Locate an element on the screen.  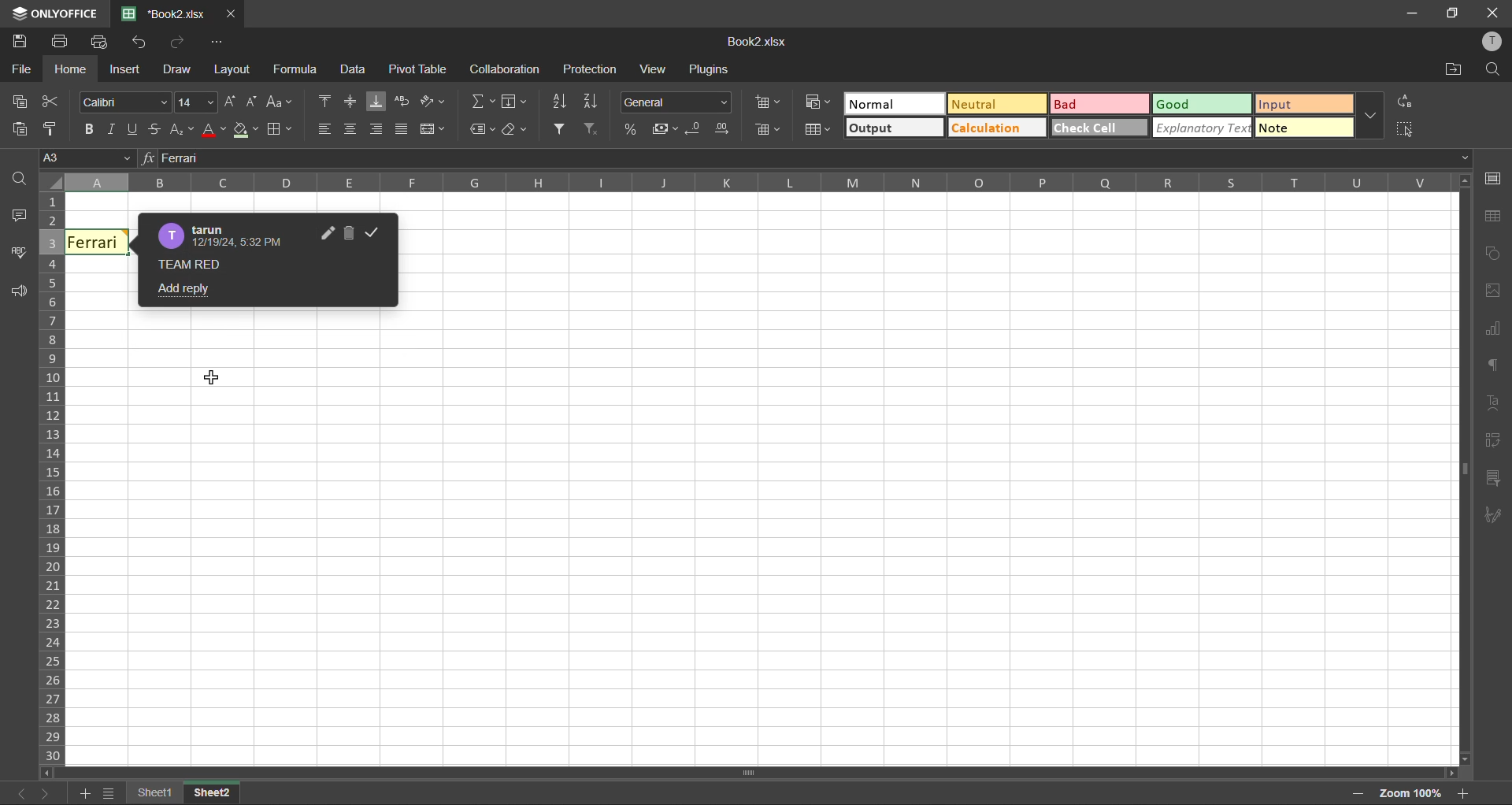
cut is located at coordinates (54, 101).